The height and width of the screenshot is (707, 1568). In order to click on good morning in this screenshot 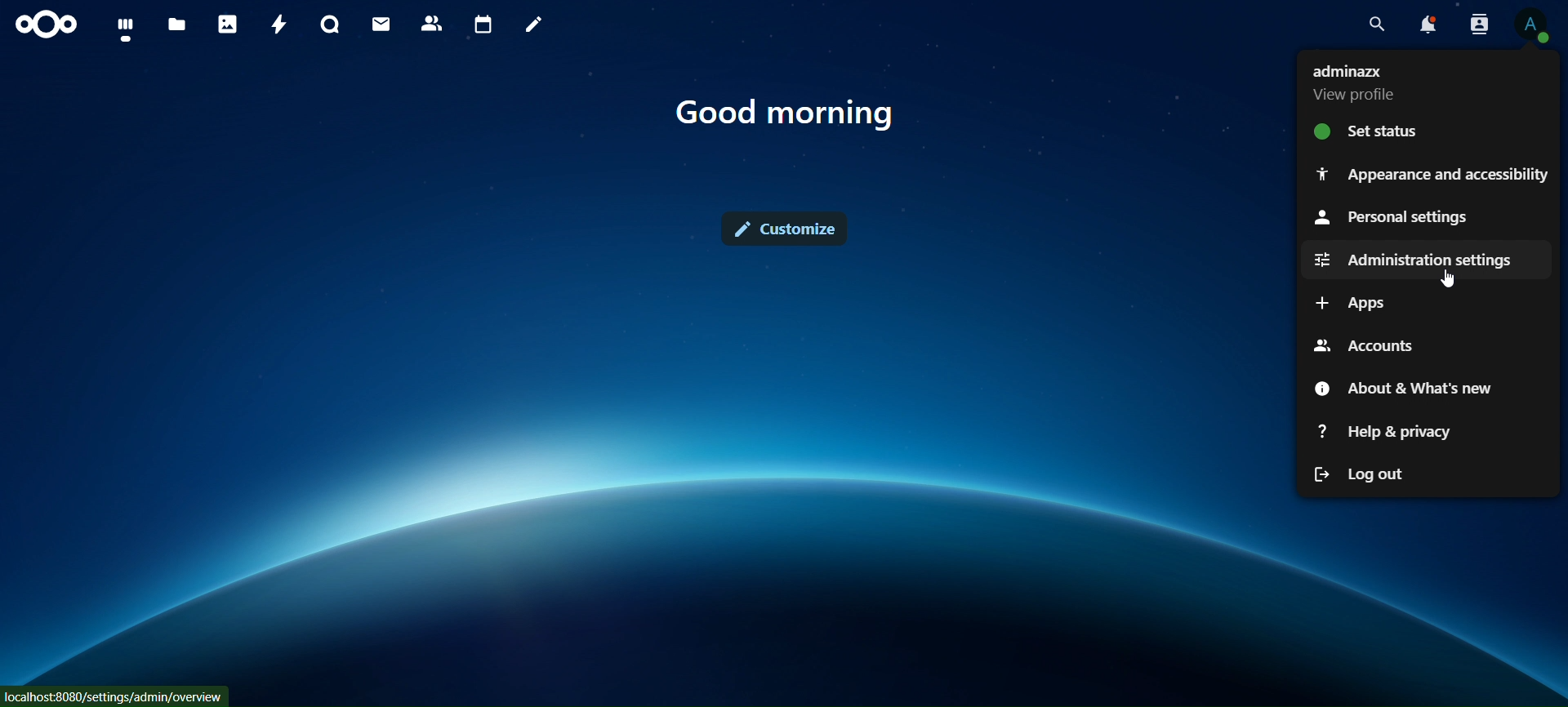, I will do `click(787, 113)`.